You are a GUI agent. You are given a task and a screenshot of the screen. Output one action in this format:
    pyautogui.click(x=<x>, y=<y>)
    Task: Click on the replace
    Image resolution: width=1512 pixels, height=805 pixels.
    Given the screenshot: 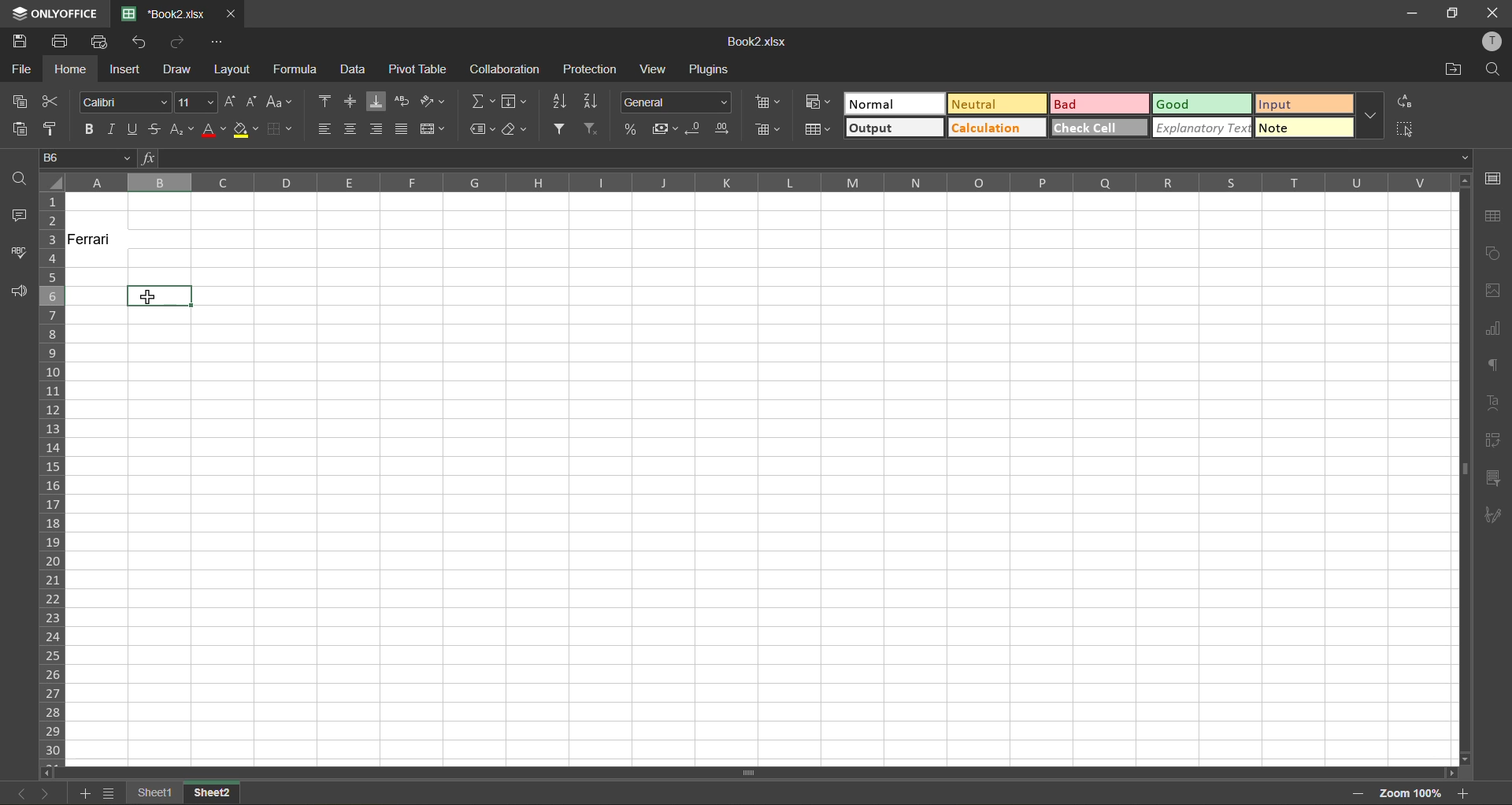 What is the action you would take?
    pyautogui.click(x=1404, y=102)
    